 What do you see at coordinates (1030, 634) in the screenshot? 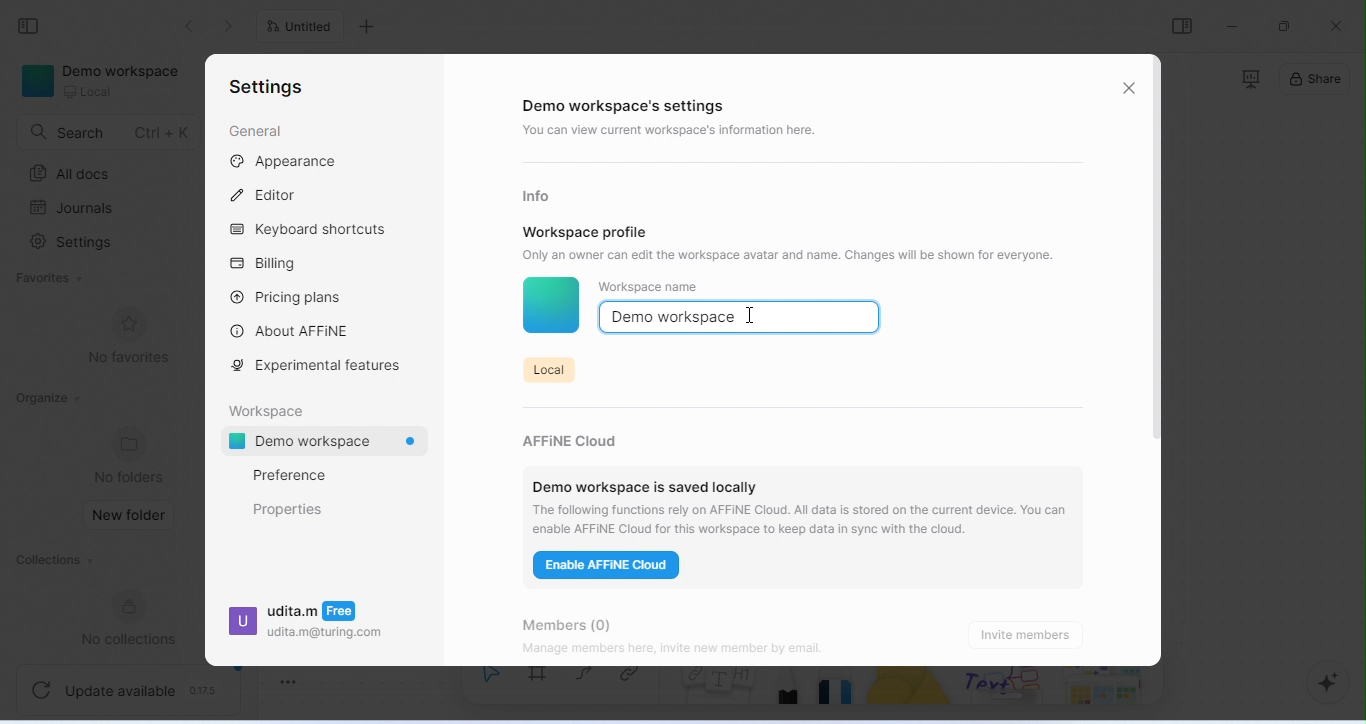
I see `invite members` at bounding box center [1030, 634].